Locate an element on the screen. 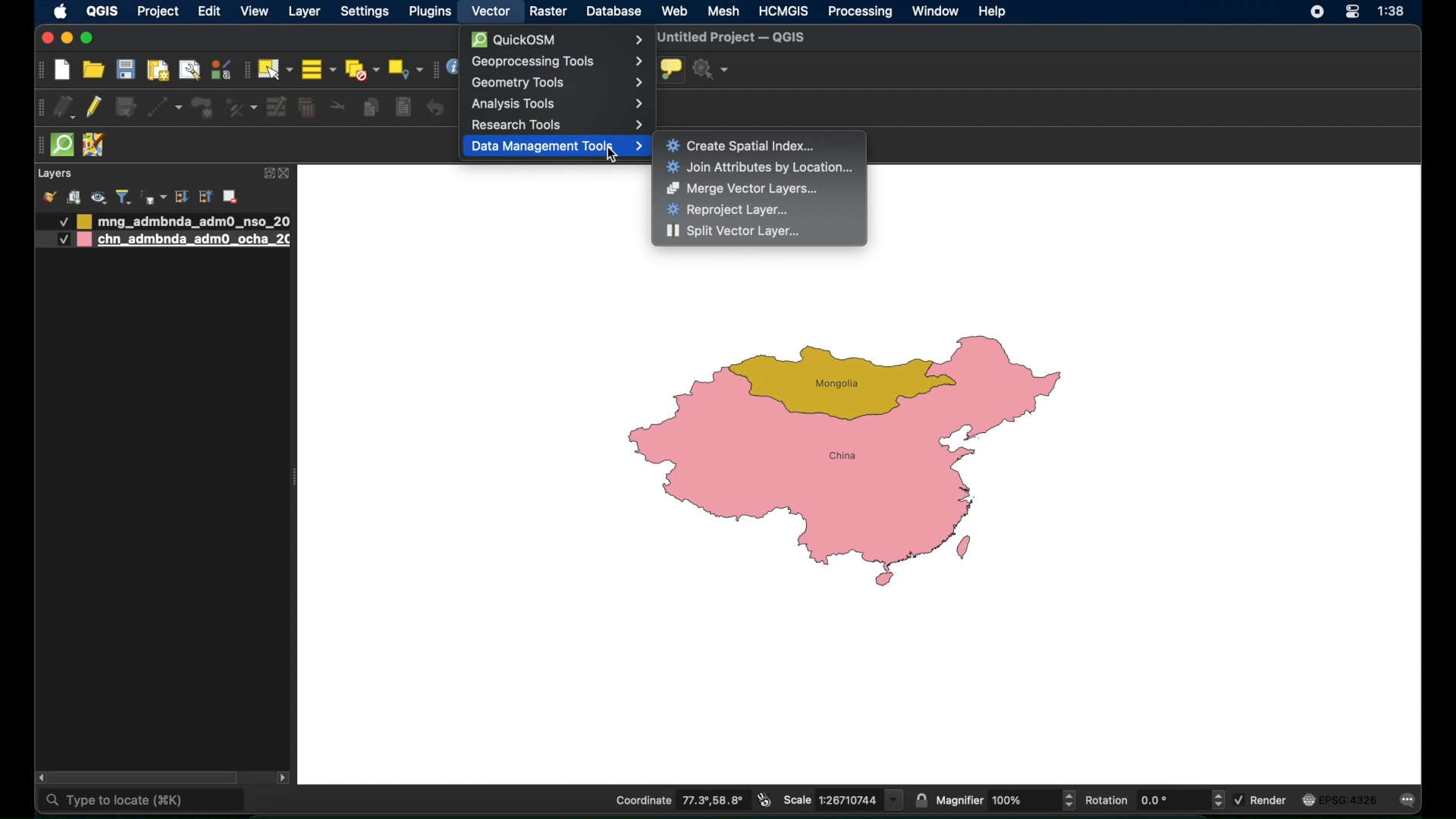  control center is located at coordinates (1353, 11).